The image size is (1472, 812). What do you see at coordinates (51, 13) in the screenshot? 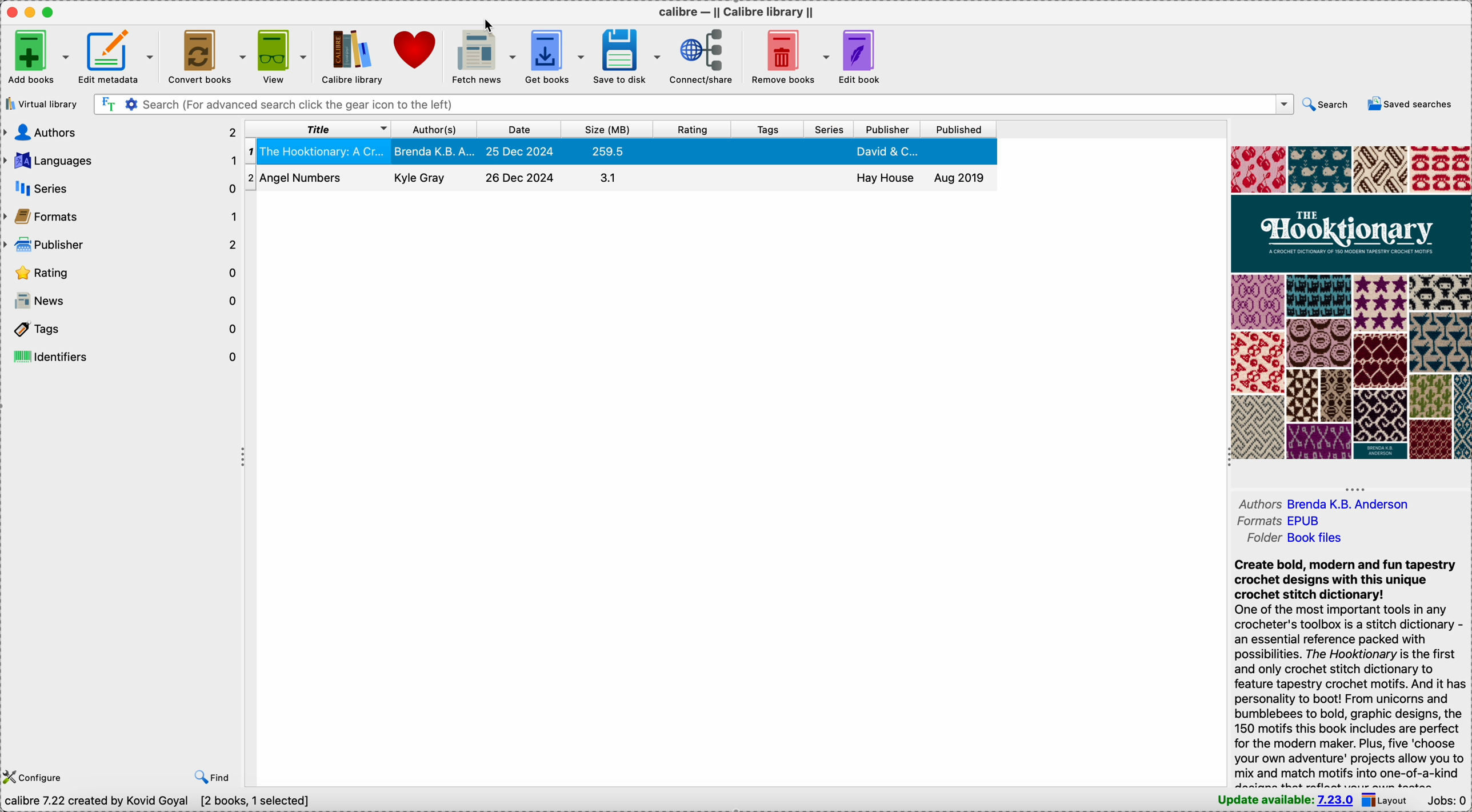
I see `maximize` at bounding box center [51, 13].